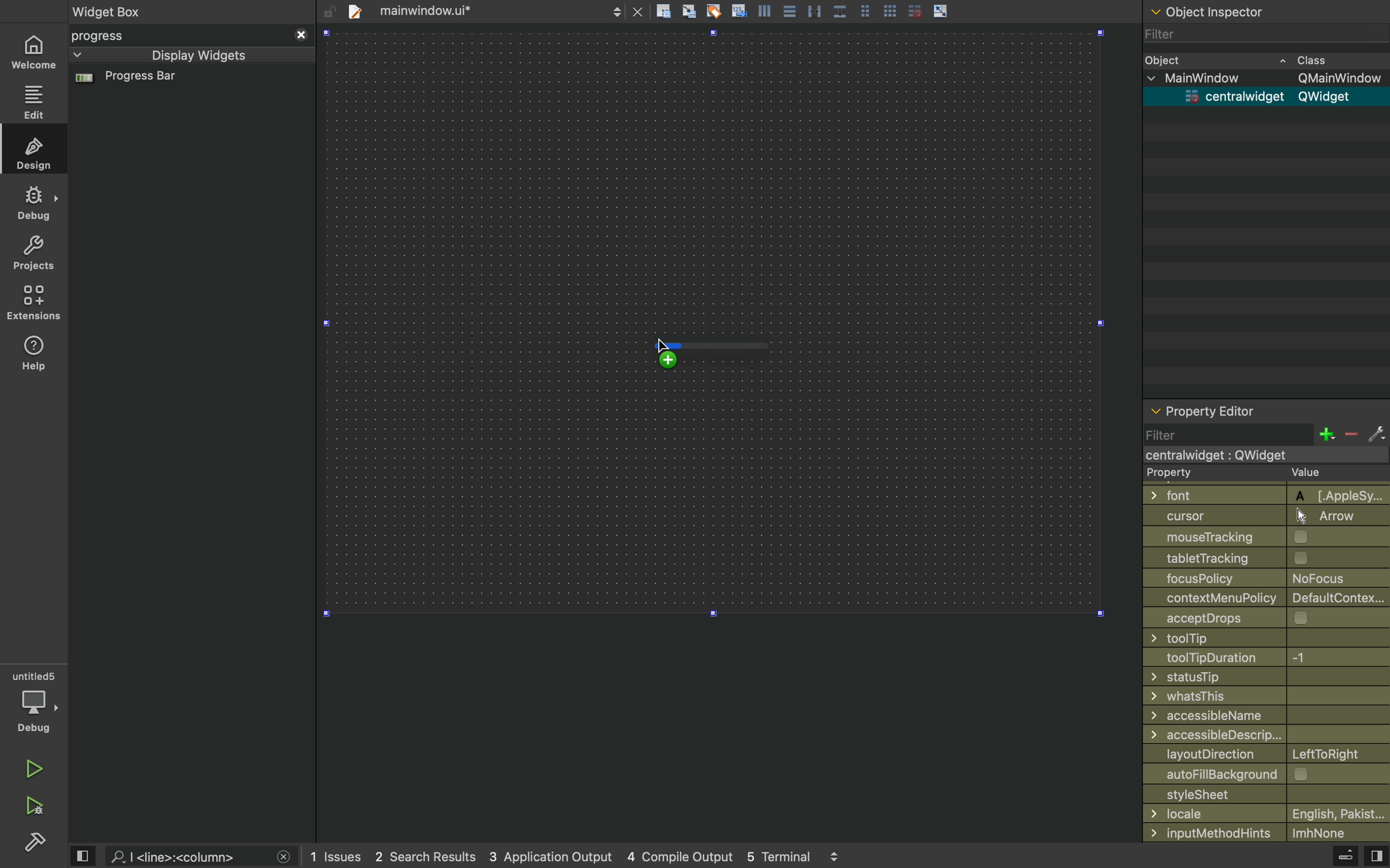  What do you see at coordinates (1251, 735) in the screenshot?
I see `accessible descrip` at bounding box center [1251, 735].